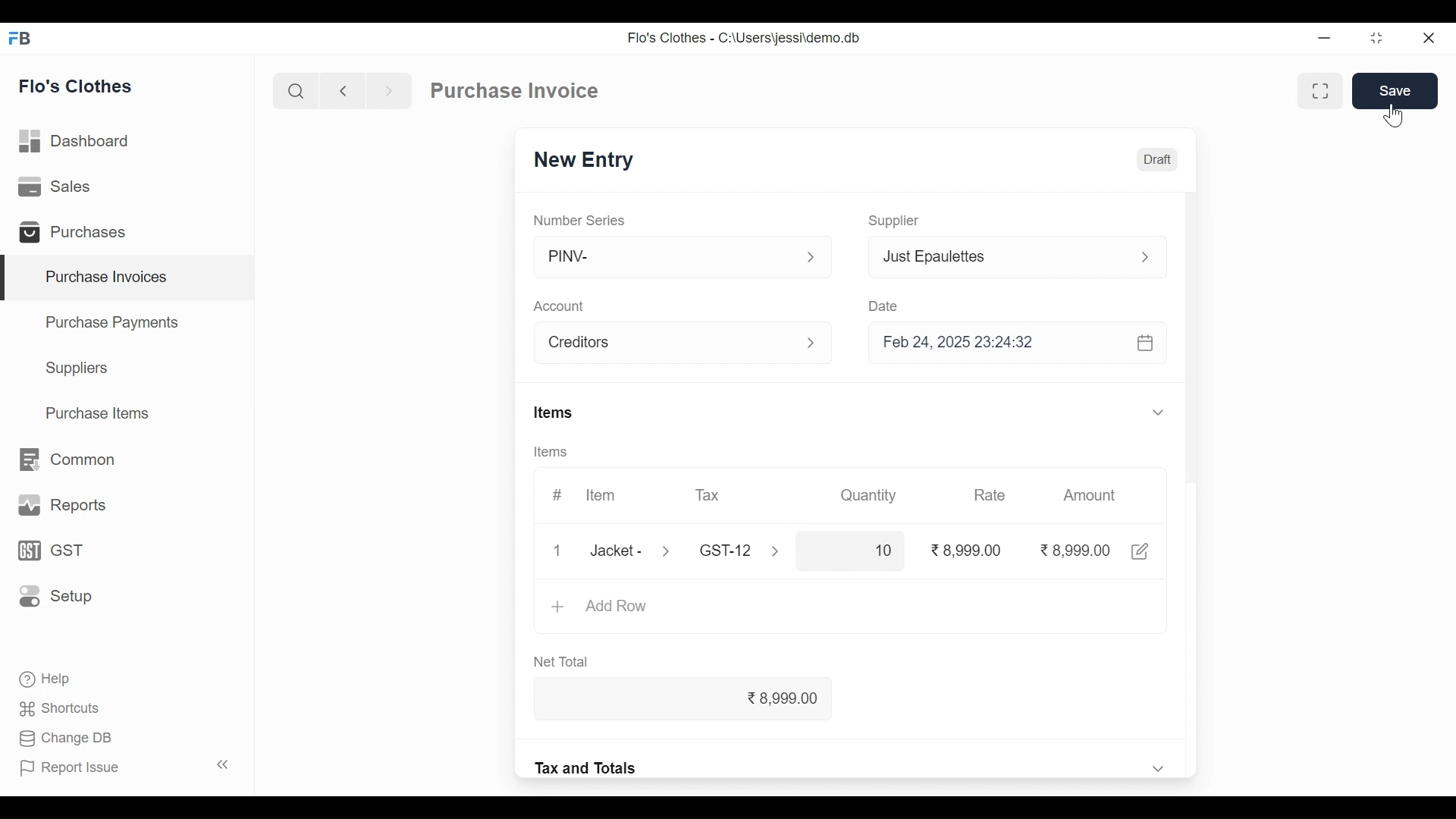 The height and width of the screenshot is (819, 1456). I want to click on Purchase Payments, so click(111, 322).